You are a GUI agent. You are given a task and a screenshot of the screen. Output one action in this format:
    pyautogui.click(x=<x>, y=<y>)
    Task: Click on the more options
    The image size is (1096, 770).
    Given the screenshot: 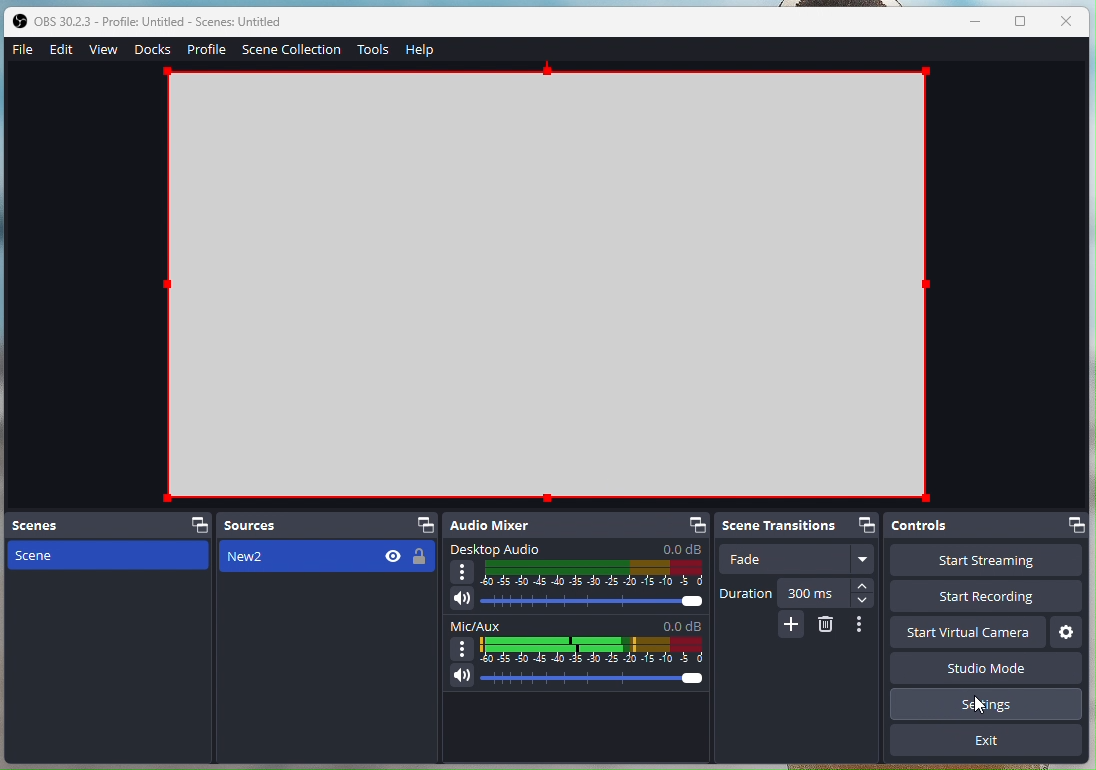 What is the action you would take?
    pyautogui.click(x=462, y=573)
    